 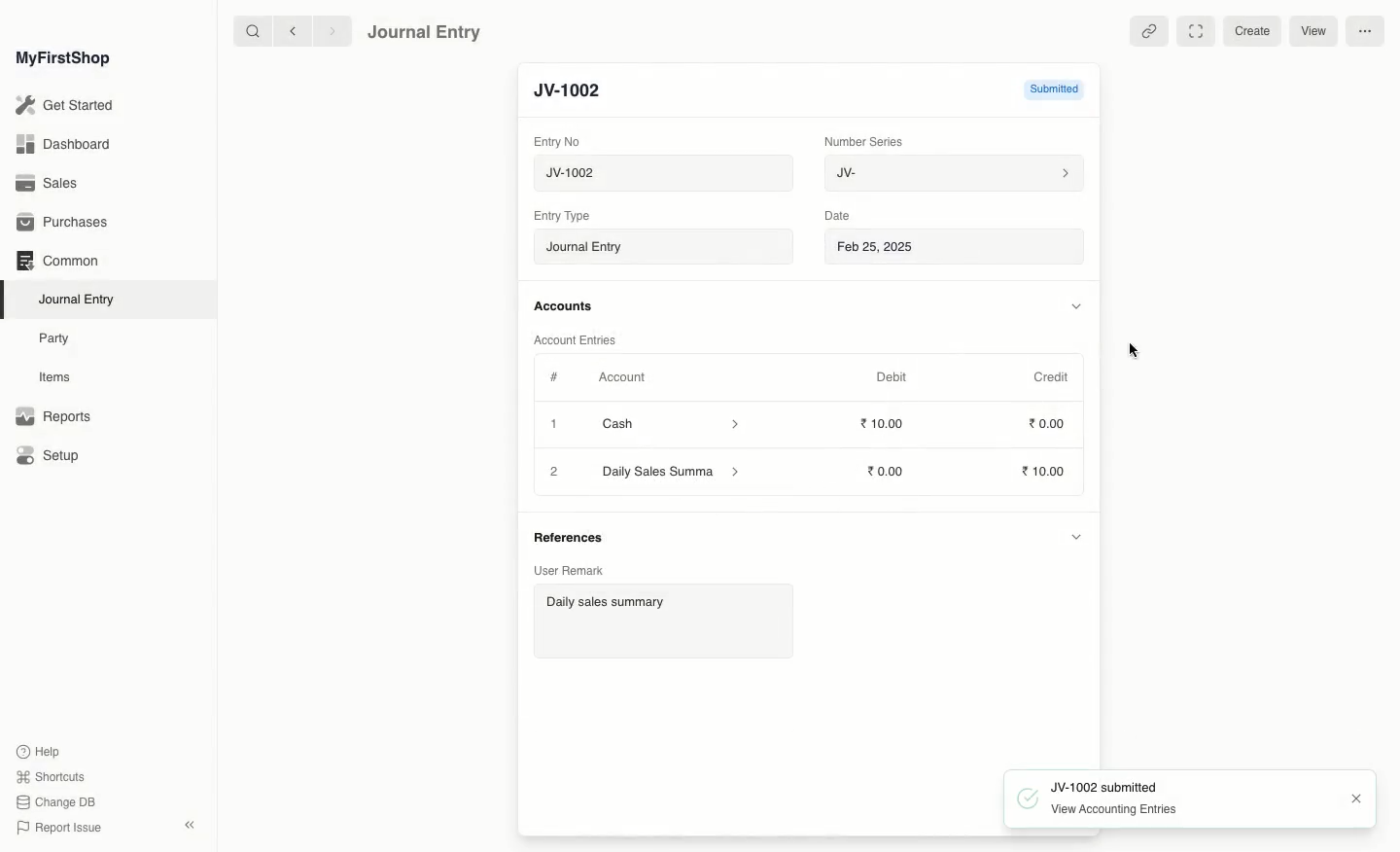 What do you see at coordinates (891, 471) in the screenshot?
I see `10.00` at bounding box center [891, 471].